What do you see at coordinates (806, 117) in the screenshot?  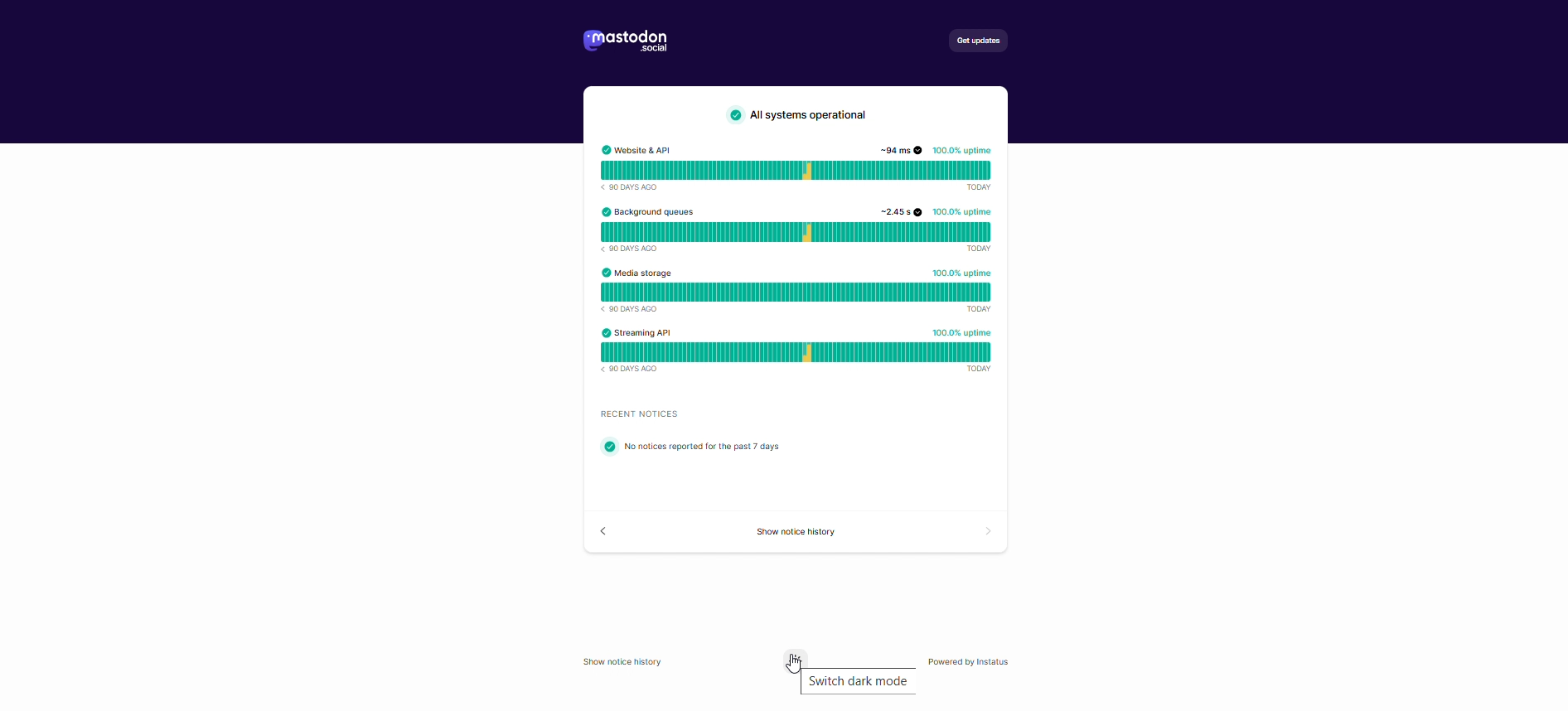 I see `text` at bounding box center [806, 117].